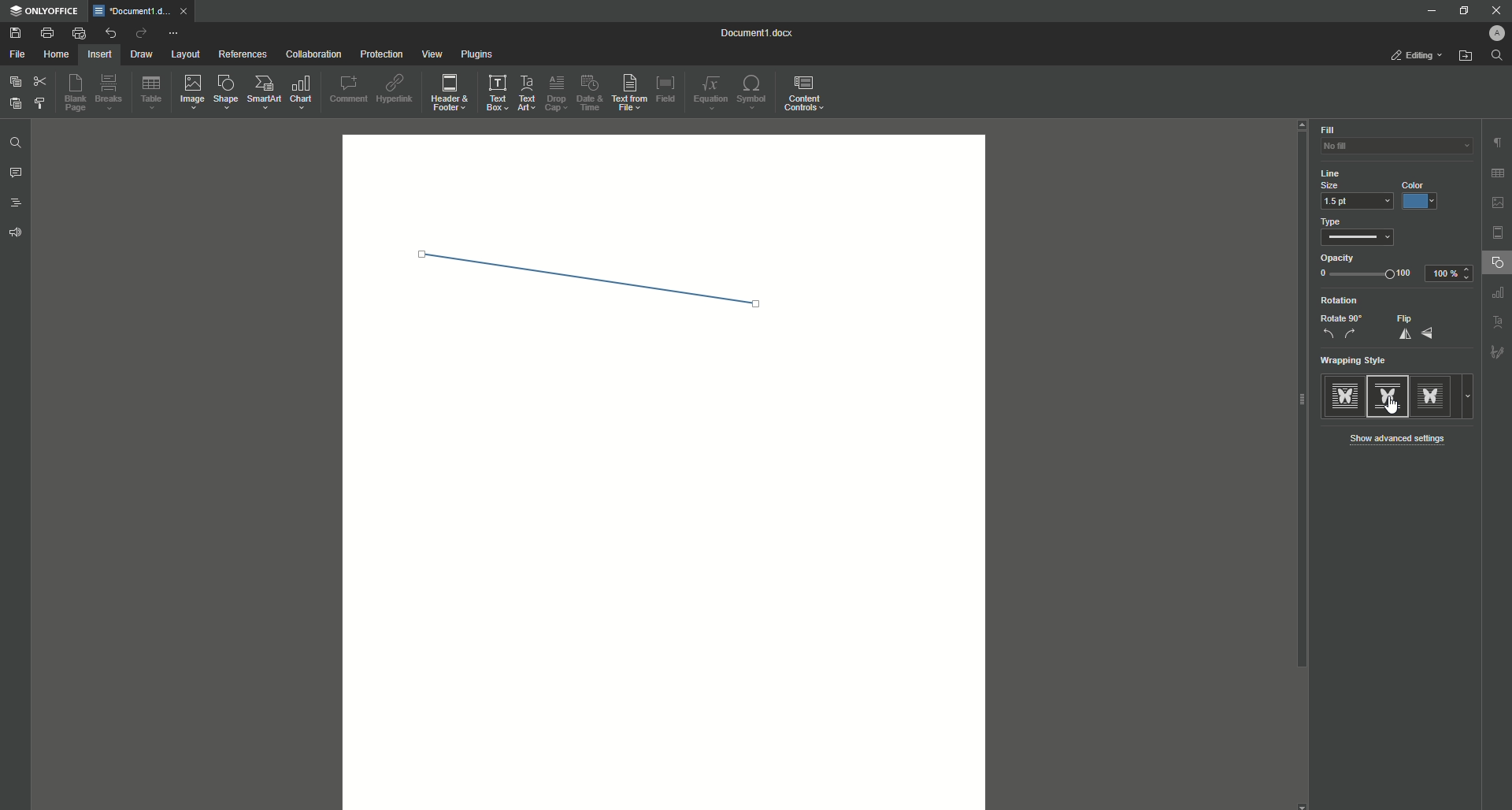  I want to click on Text Box, so click(496, 92).